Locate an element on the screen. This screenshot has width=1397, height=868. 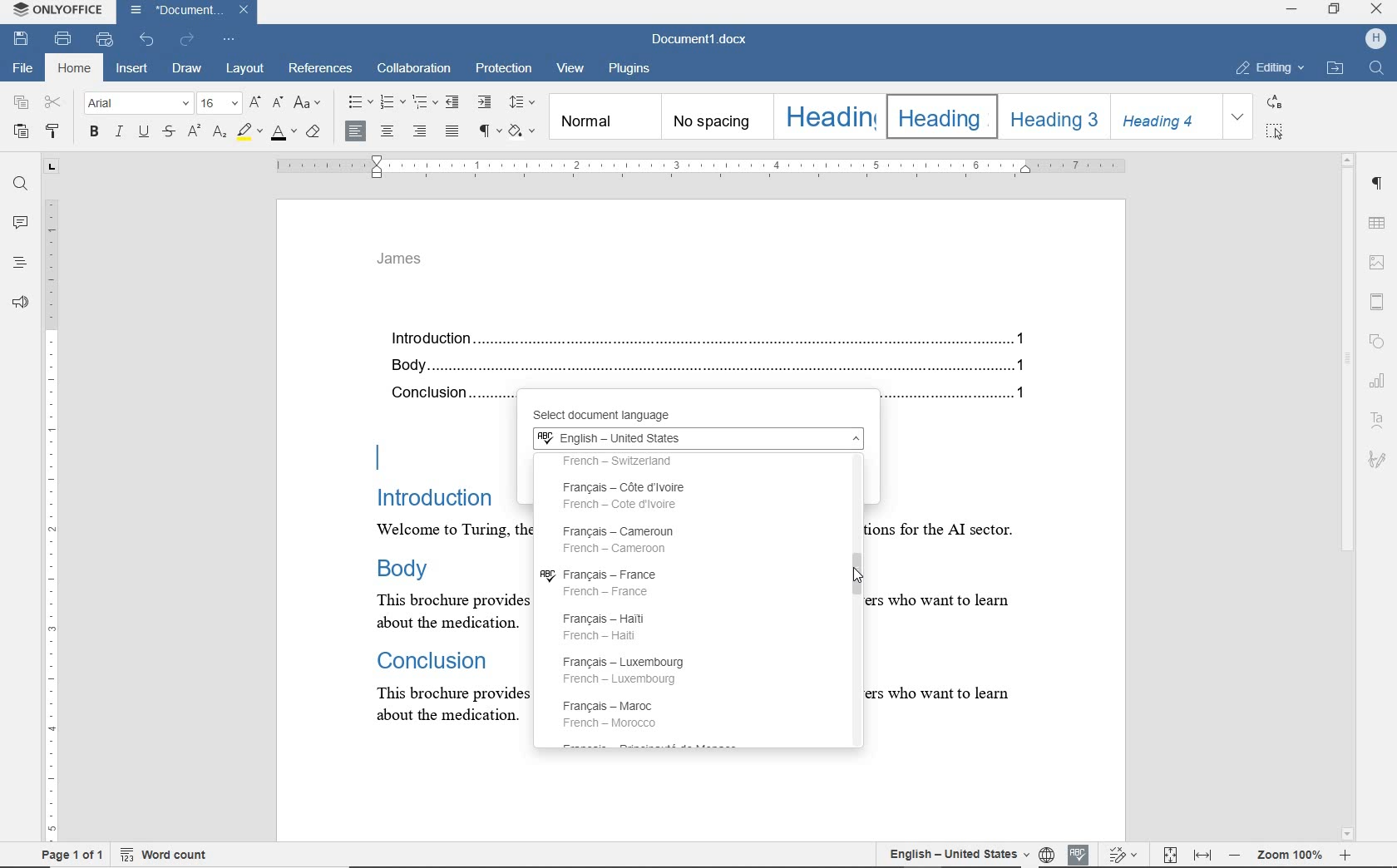
EDITING is located at coordinates (1271, 69).